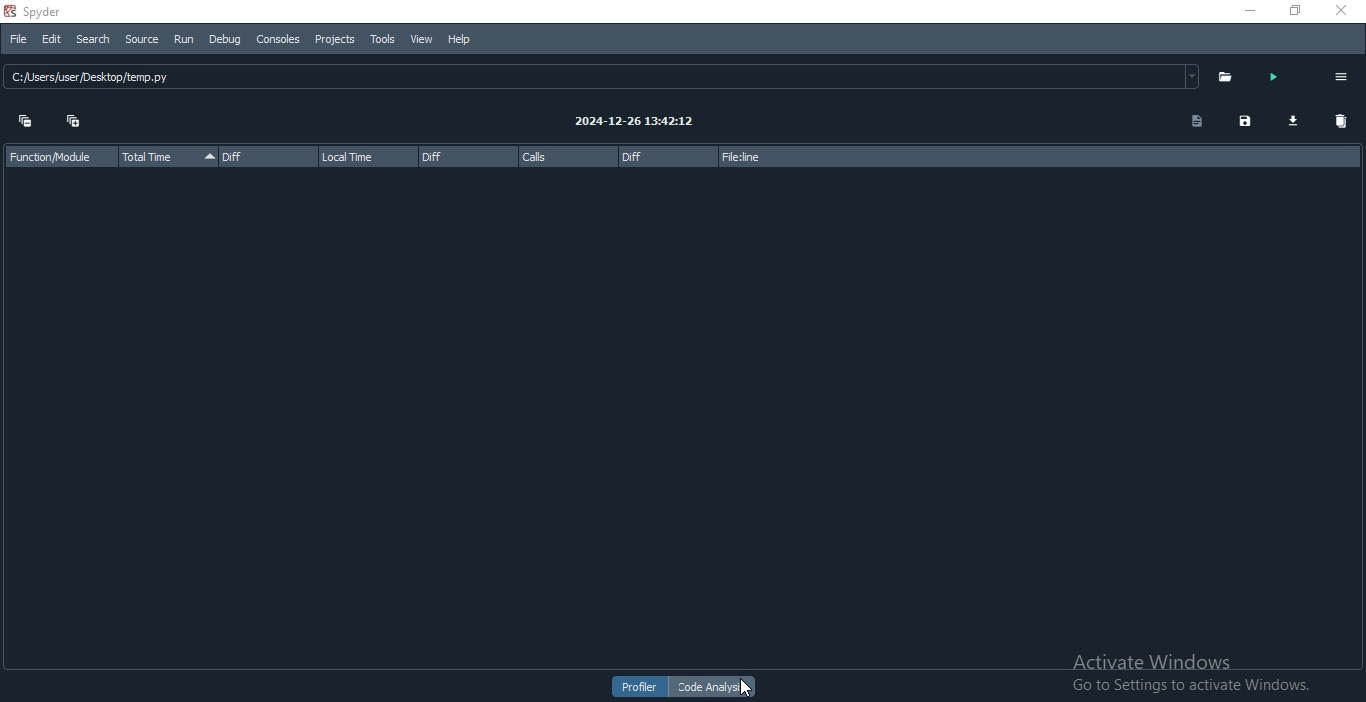 The height and width of the screenshot is (702, 1366). What do you see at coordinates (1188, 665) in the screenshot?
I see `activate windows. .Go to Settings to activate Windows.` at bounding box center [1188, 665].